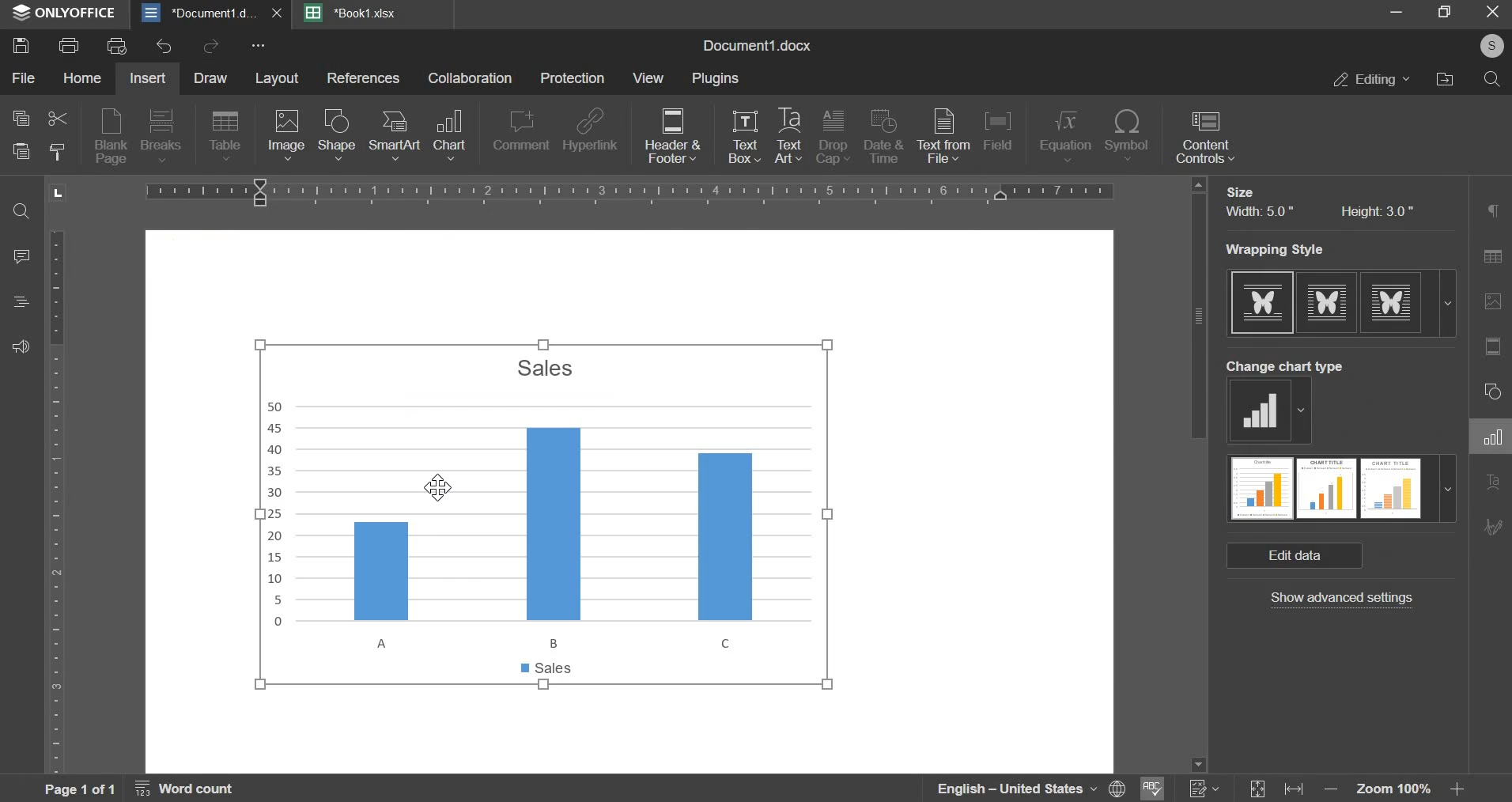  What do you see at coordinates (1154, 787) in the screenshot?
I see `spelling` at bounding box center [1154, 787].